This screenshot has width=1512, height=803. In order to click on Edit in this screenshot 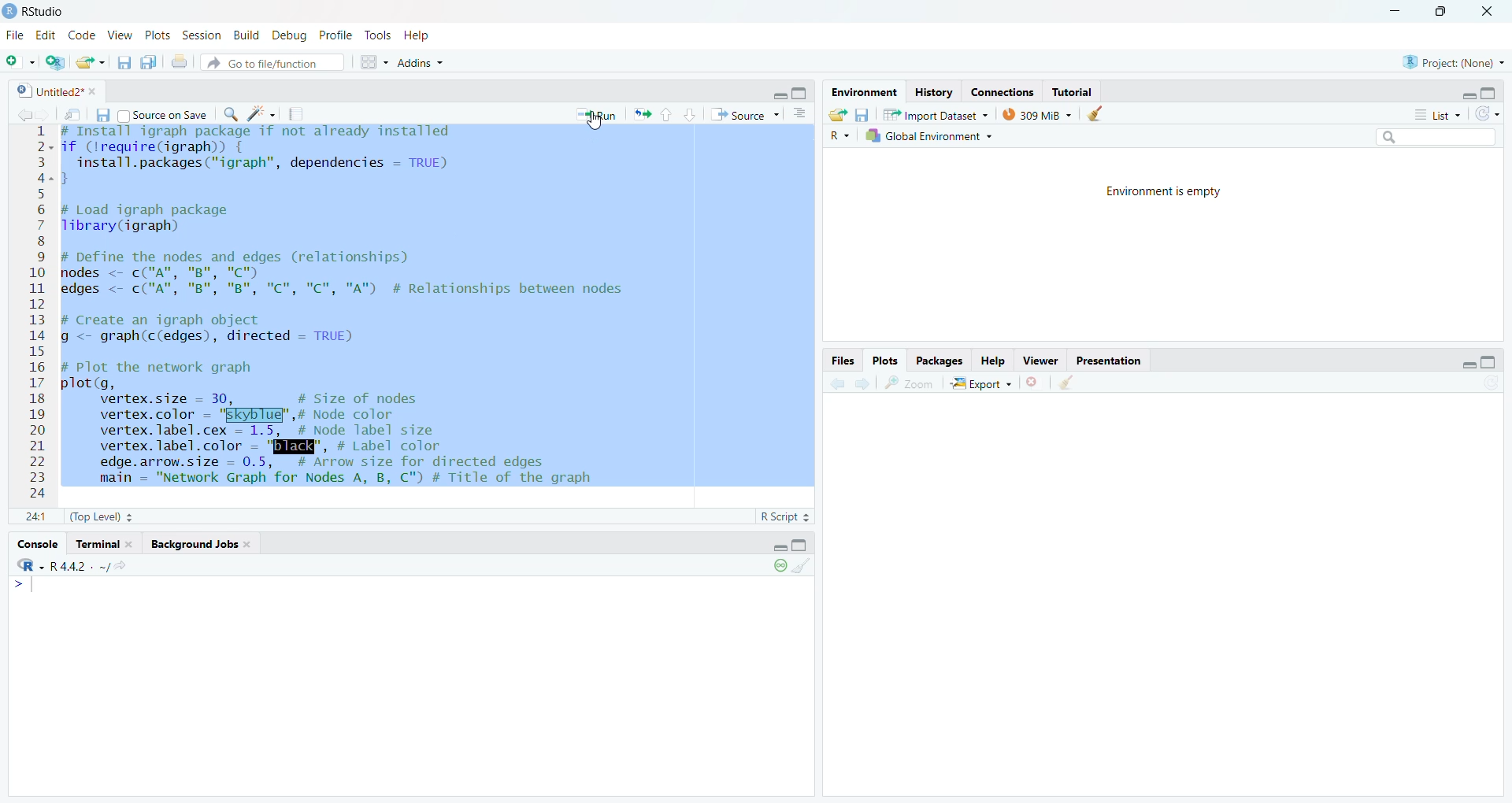, I will do `click(46, 37)`.